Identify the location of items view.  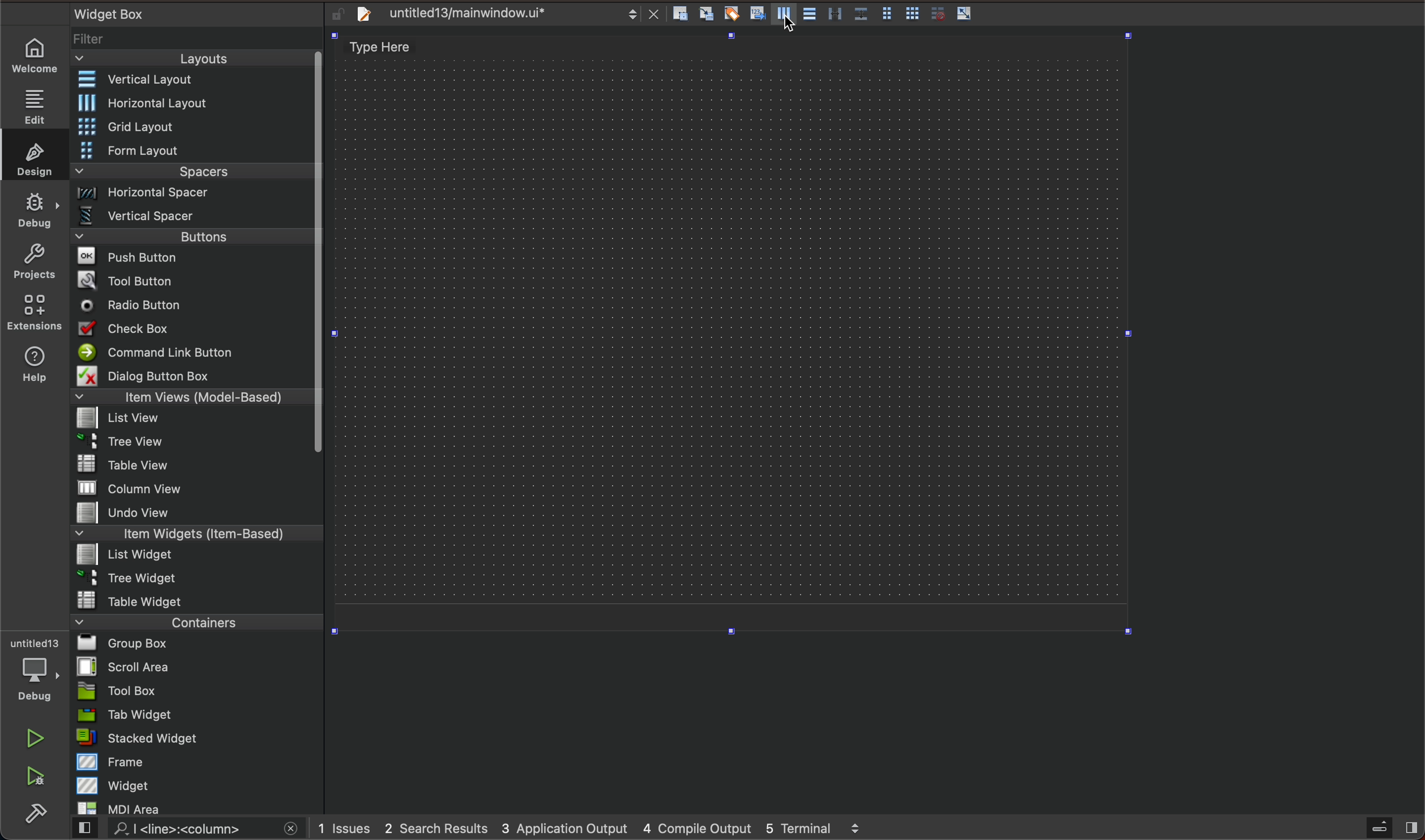
(193, 397).